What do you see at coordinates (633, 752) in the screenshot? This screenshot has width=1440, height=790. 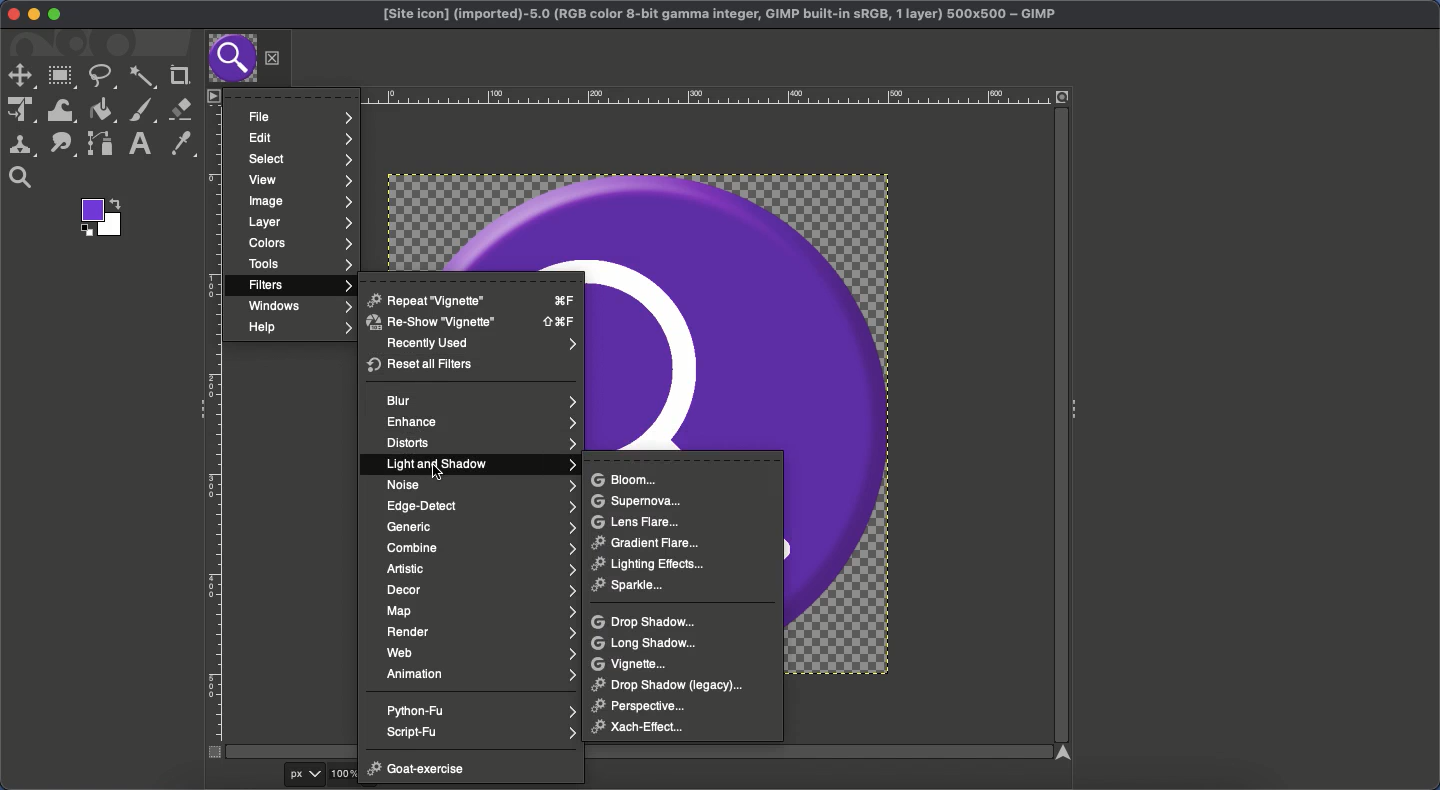 I see `Scroll` at bounding box center [633, 752].